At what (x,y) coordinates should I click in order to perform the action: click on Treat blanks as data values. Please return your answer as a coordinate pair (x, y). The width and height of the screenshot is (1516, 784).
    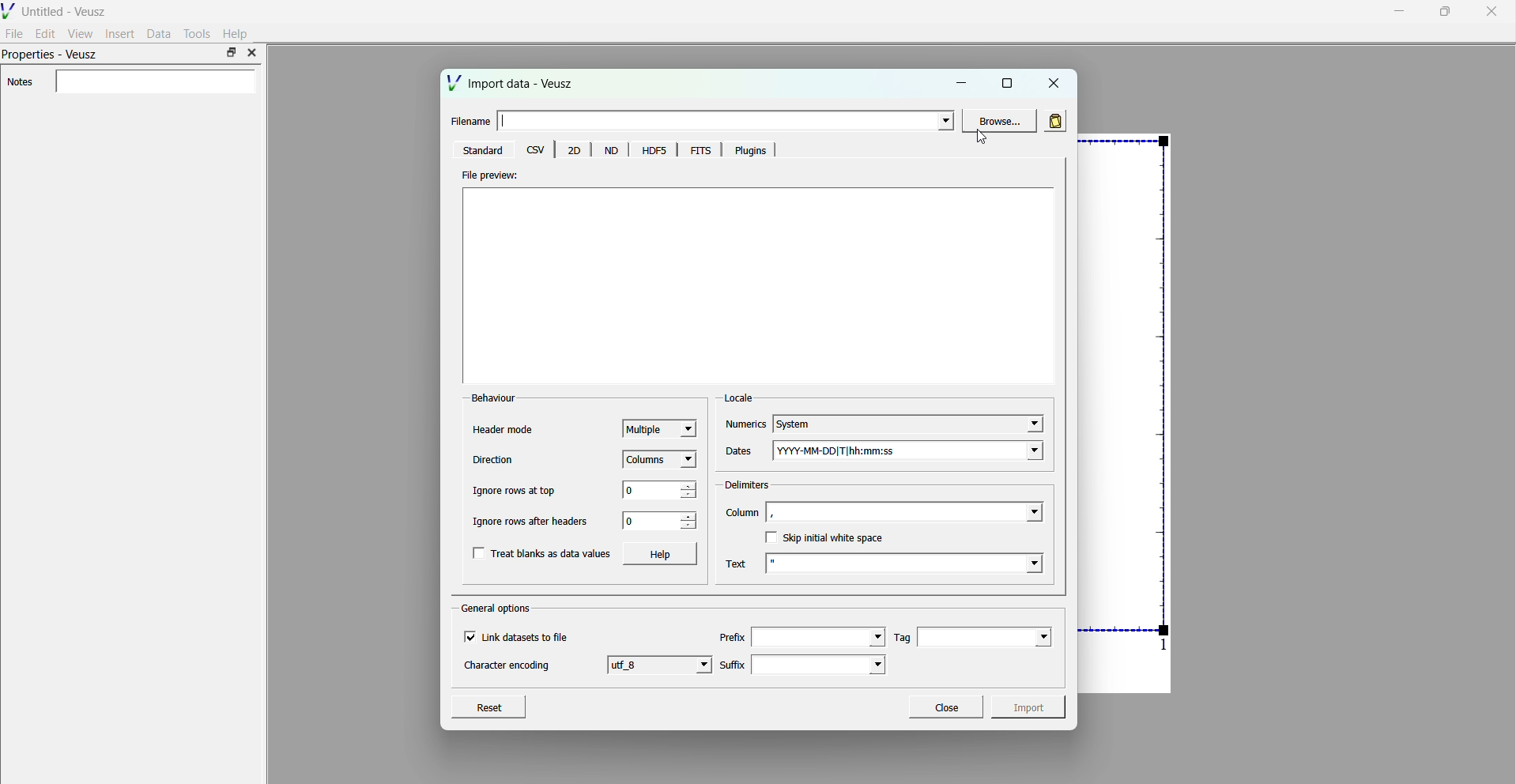
    Looking at the image, I should click on (552, 554).